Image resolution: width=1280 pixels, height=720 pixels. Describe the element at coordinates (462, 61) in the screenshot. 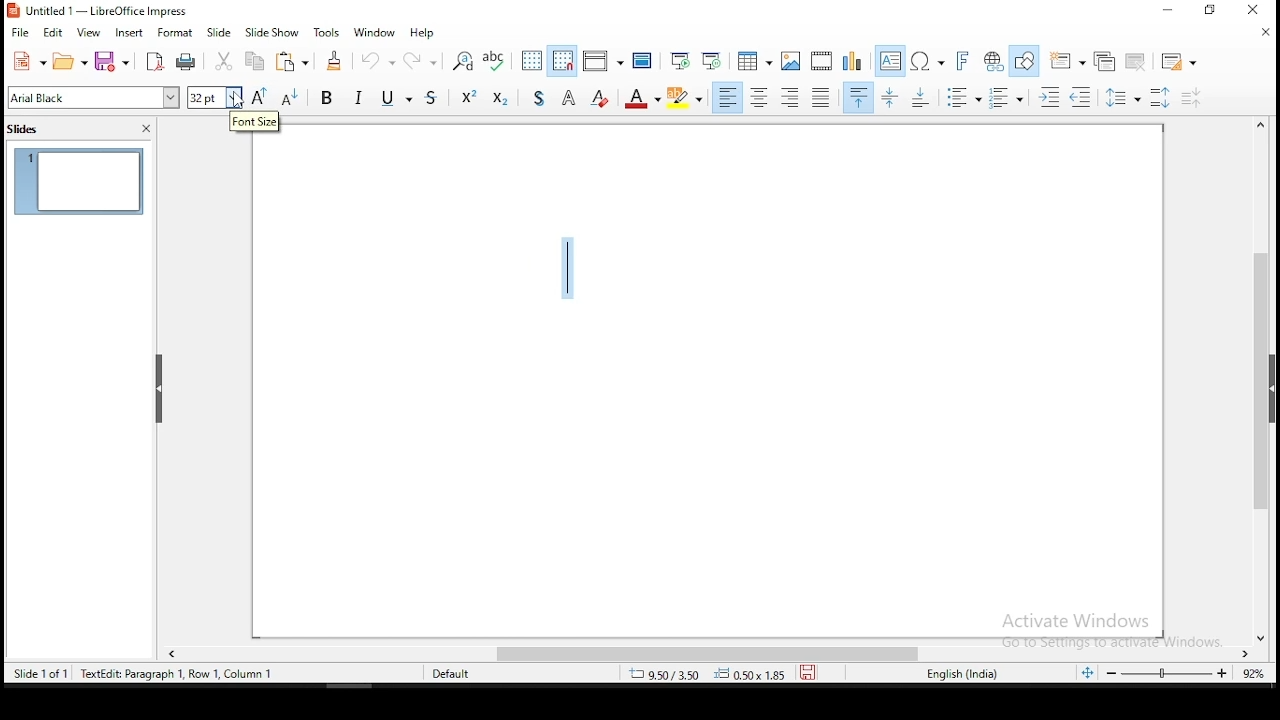

I see `find and replace` at that location.